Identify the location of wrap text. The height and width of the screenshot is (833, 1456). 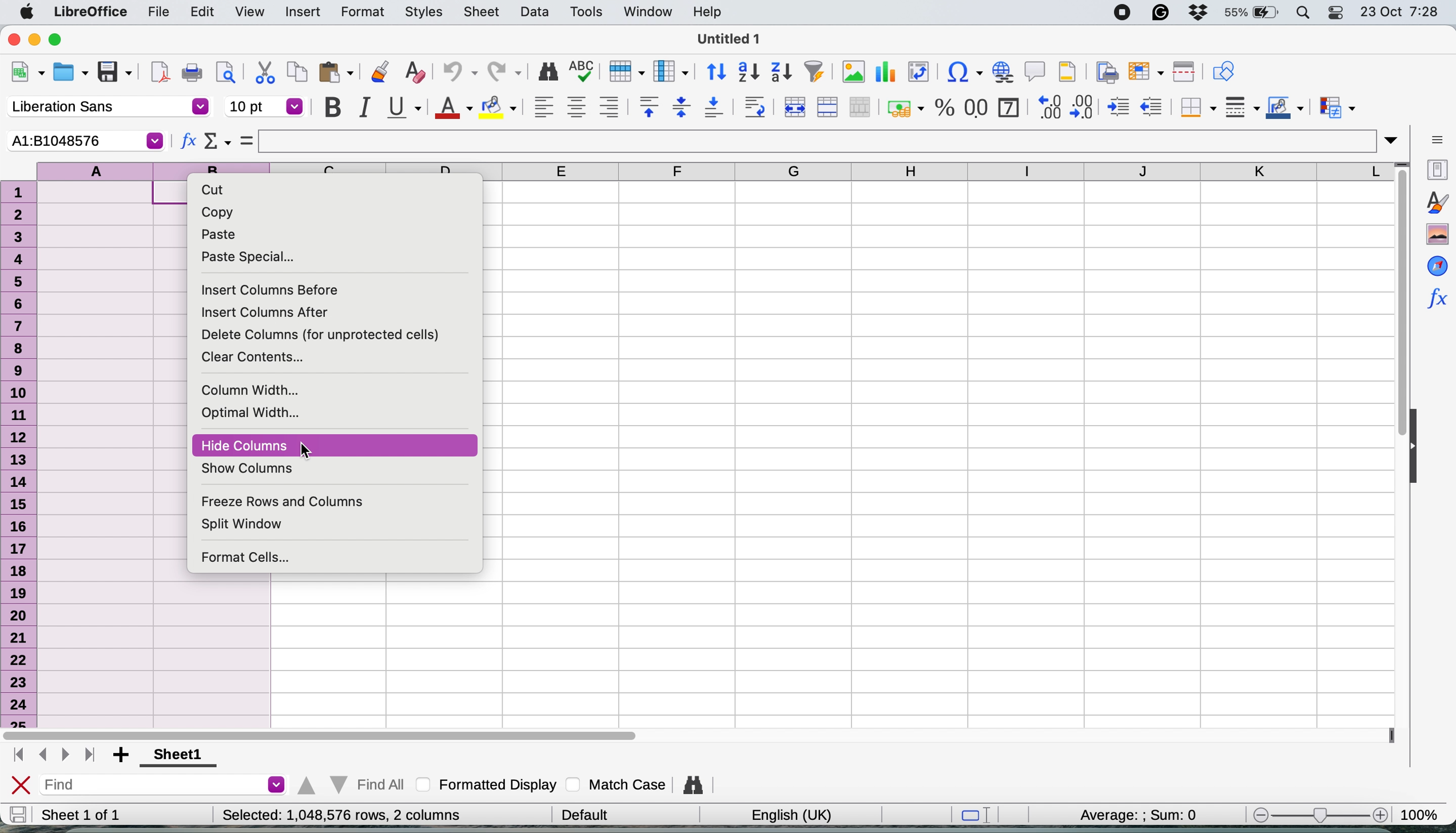
(758, 107).